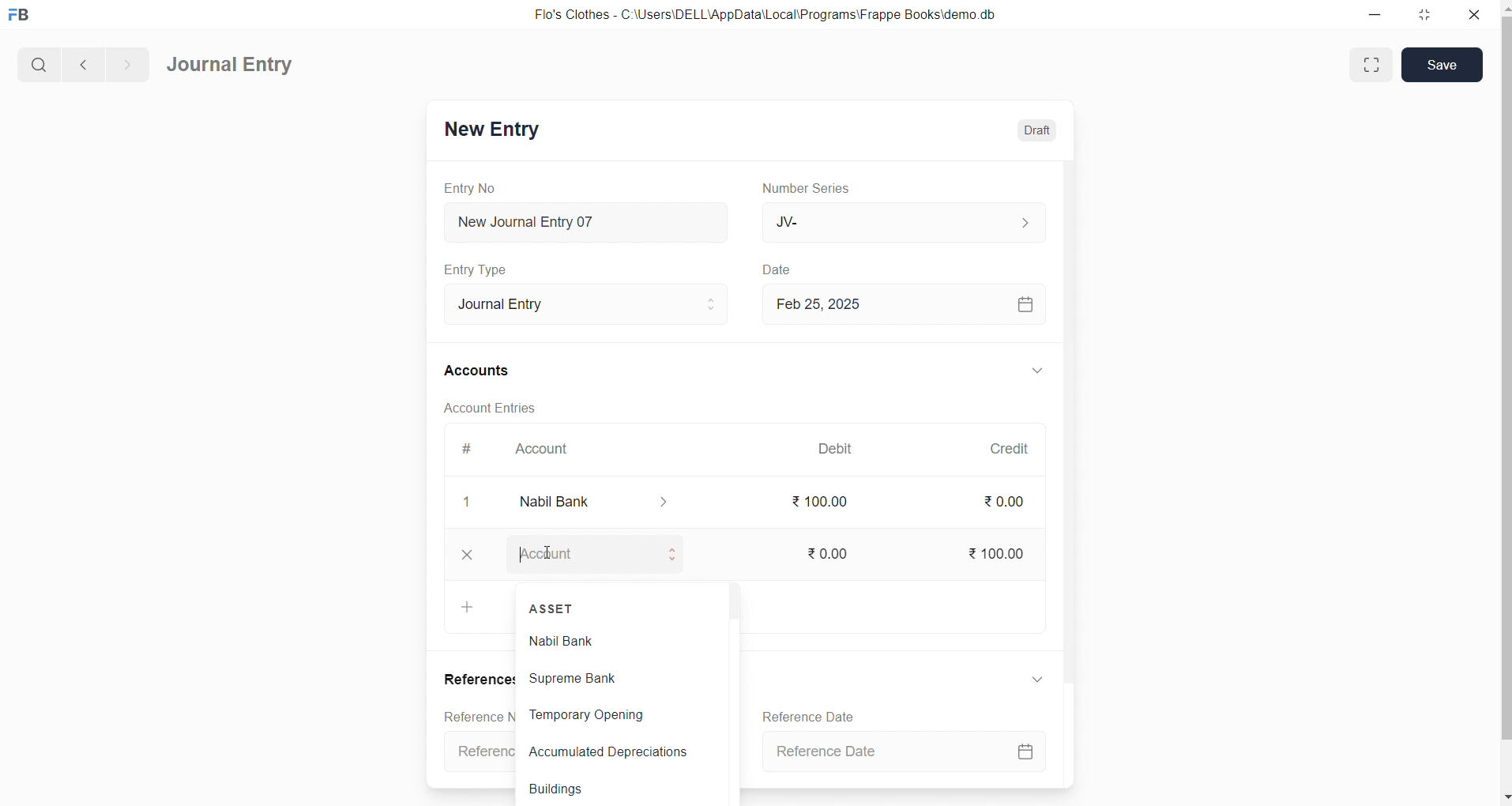 The height and width of the screenshot is (806, 1512). What do you see at coordinates (732, 695) in the screenshot?
I see `vertical scroll bar` at bounding box center [732, 695].